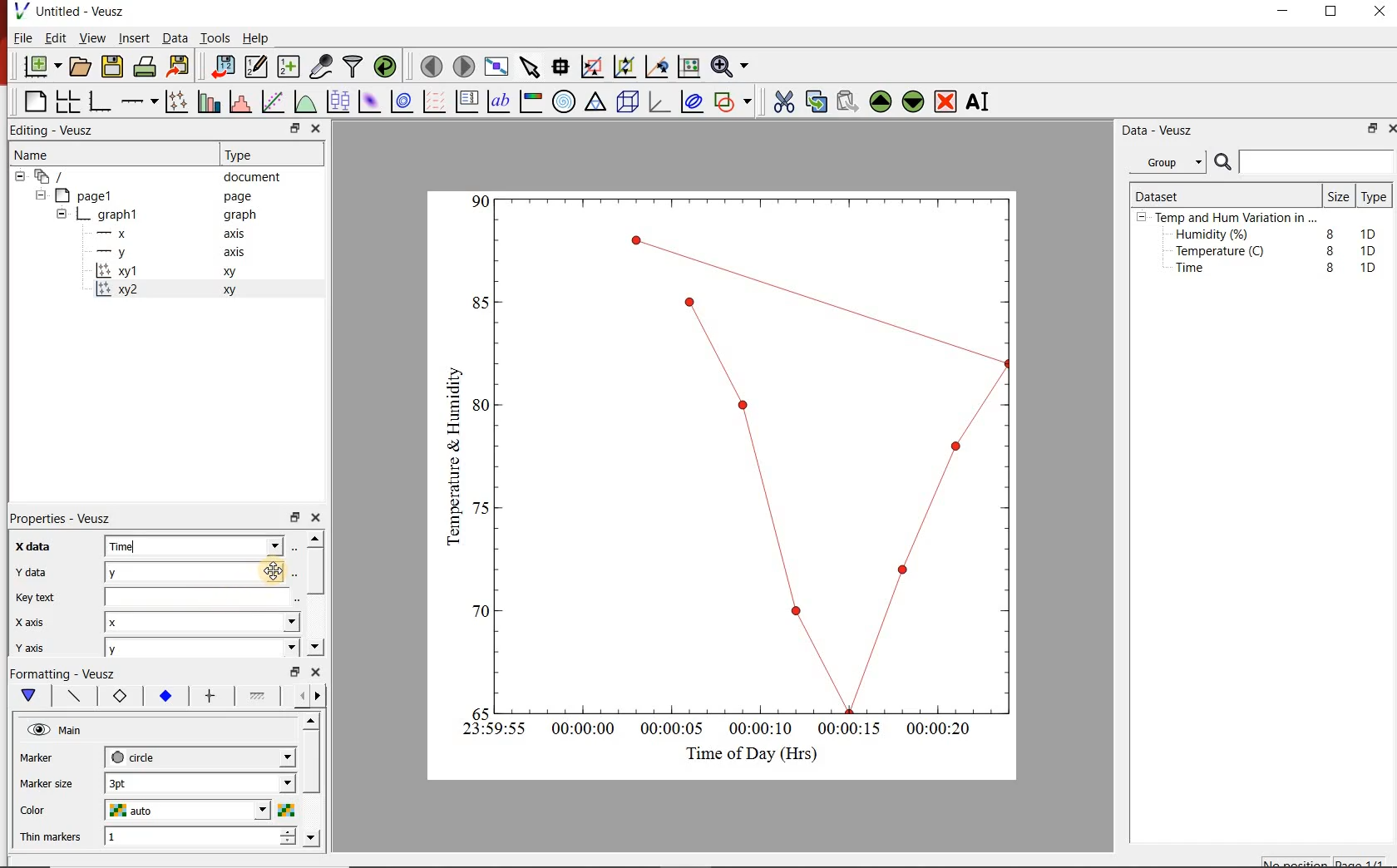  Describe the element at coordinates (121, 698) in the screenshot. I see `marker border` at that location.